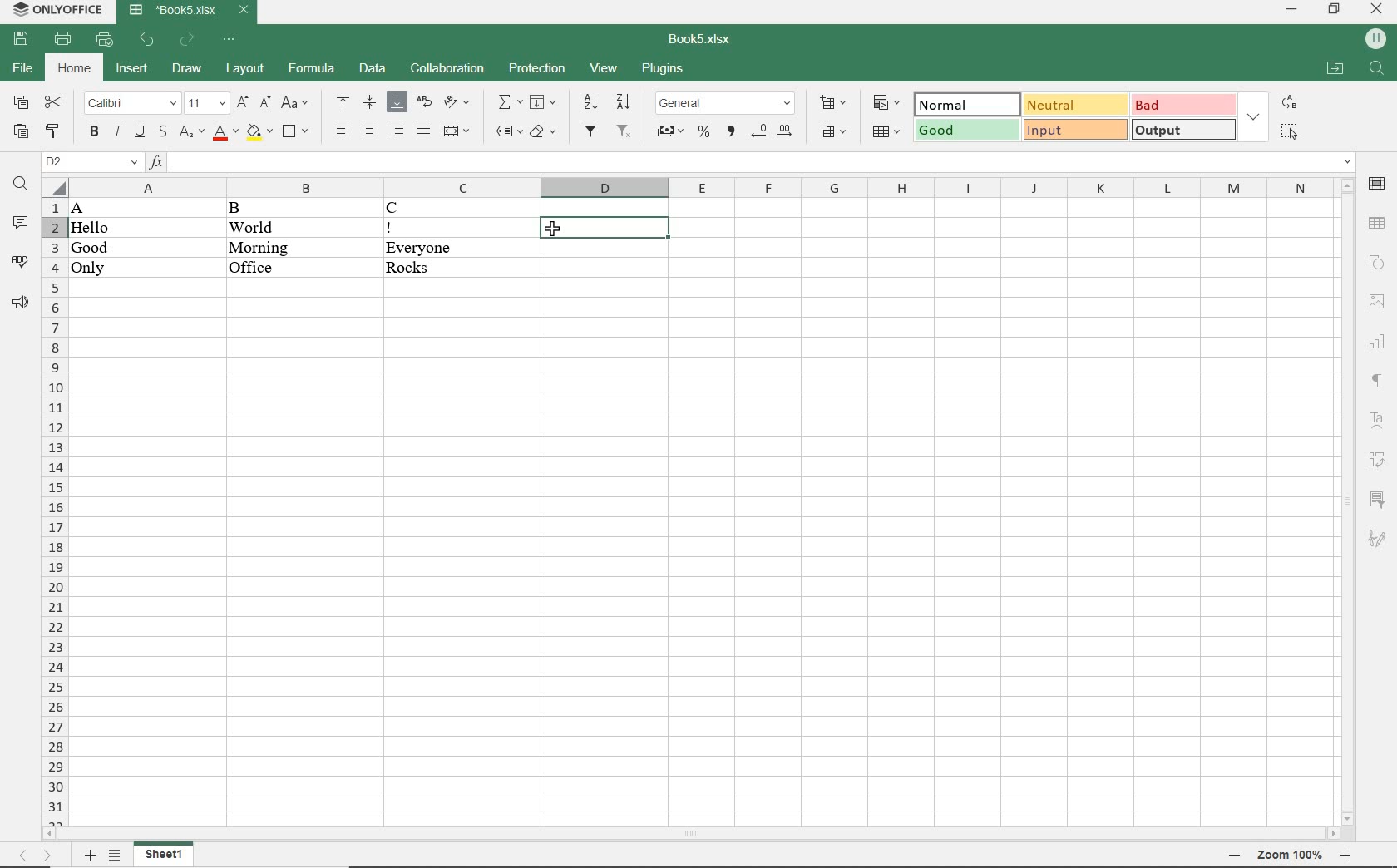  What do you see at coordinates (671, 133) in the screenshot?
I see `accounting style` at bounding box center [671, 133].